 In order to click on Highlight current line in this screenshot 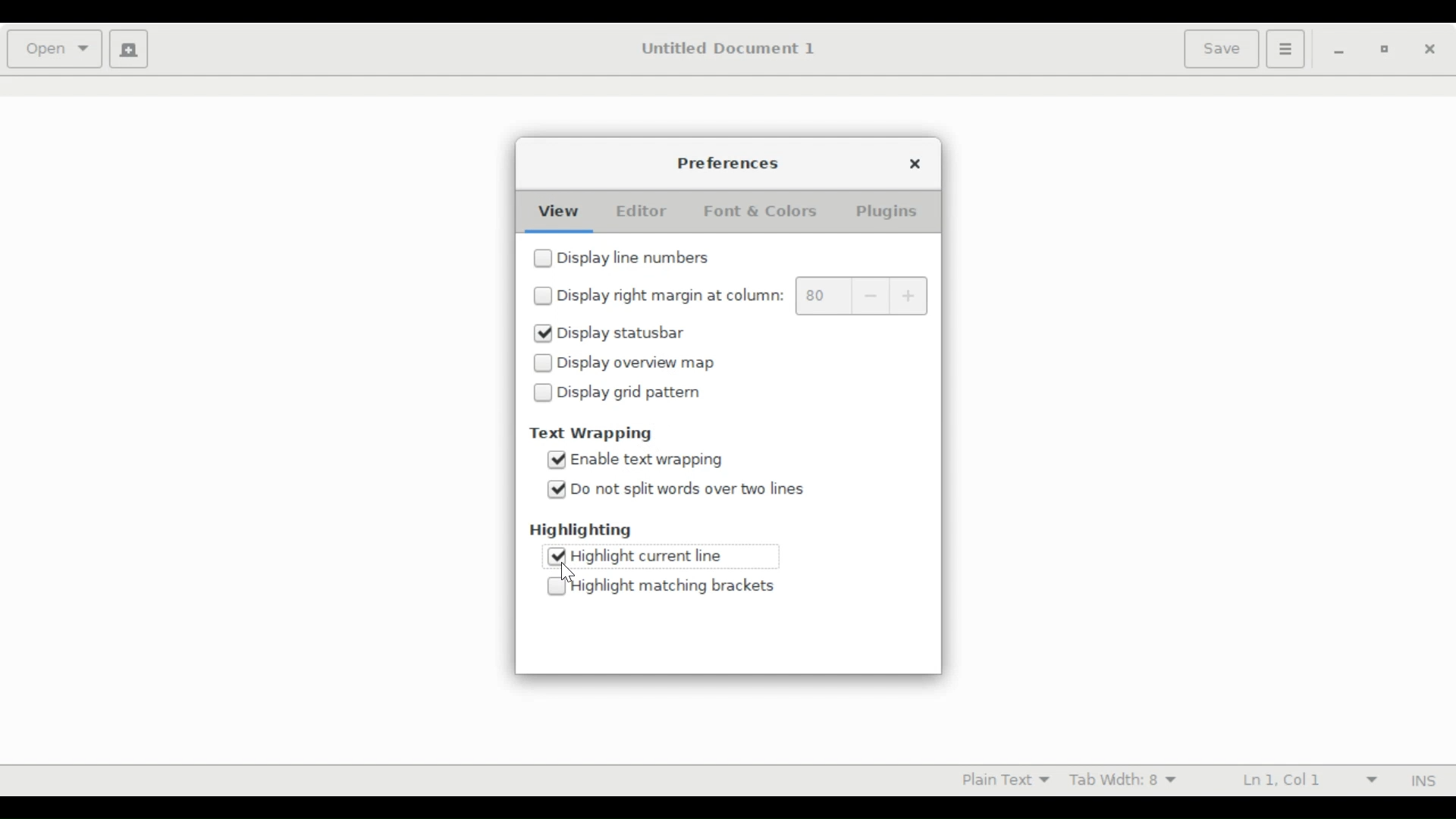, I will do `click(648, 557)`.